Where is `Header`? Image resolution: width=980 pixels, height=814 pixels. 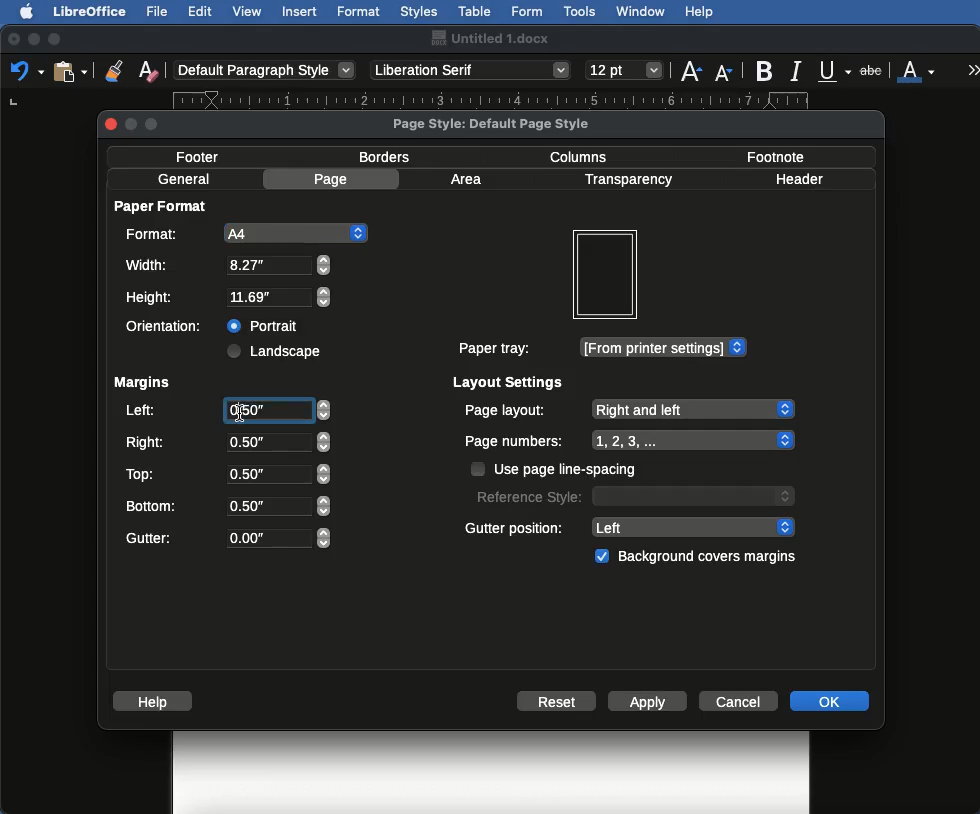
Header is located at coordinates (799, 179).